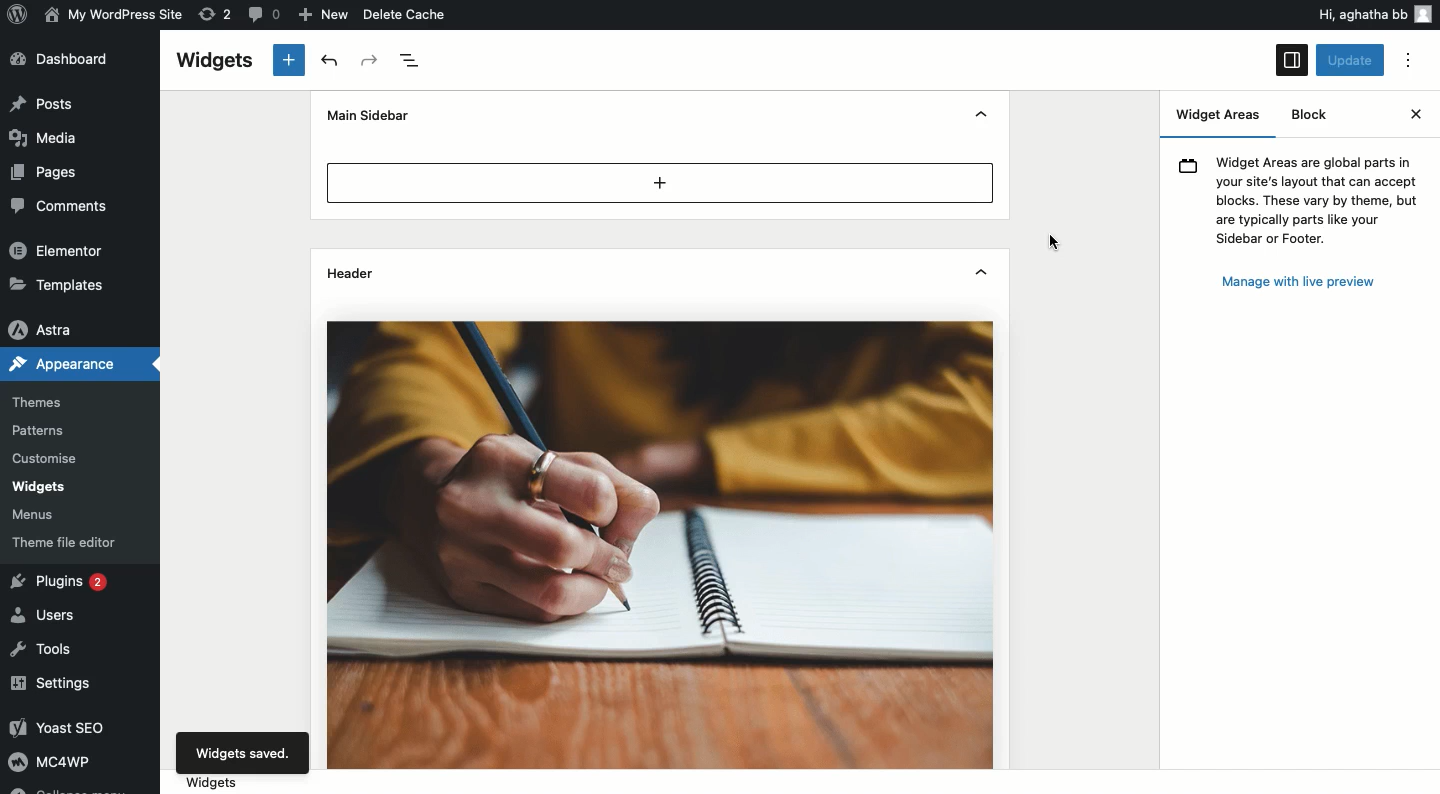 This screenshot has width=1440, height=794. Describe the element at coordinates (406, 14) in the screenshot. I see `Delete cache` at that location.